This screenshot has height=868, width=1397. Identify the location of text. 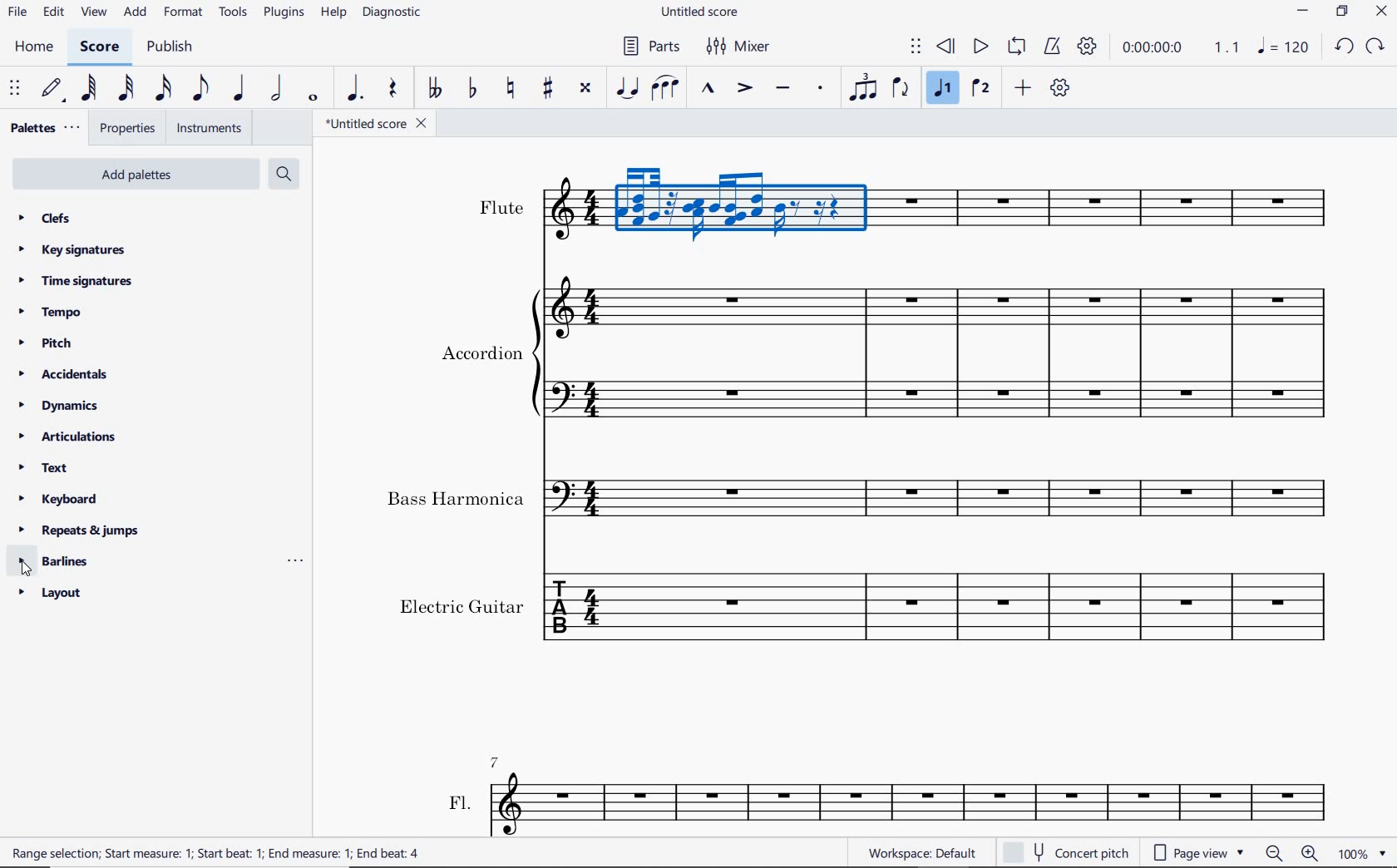
(43, 467).